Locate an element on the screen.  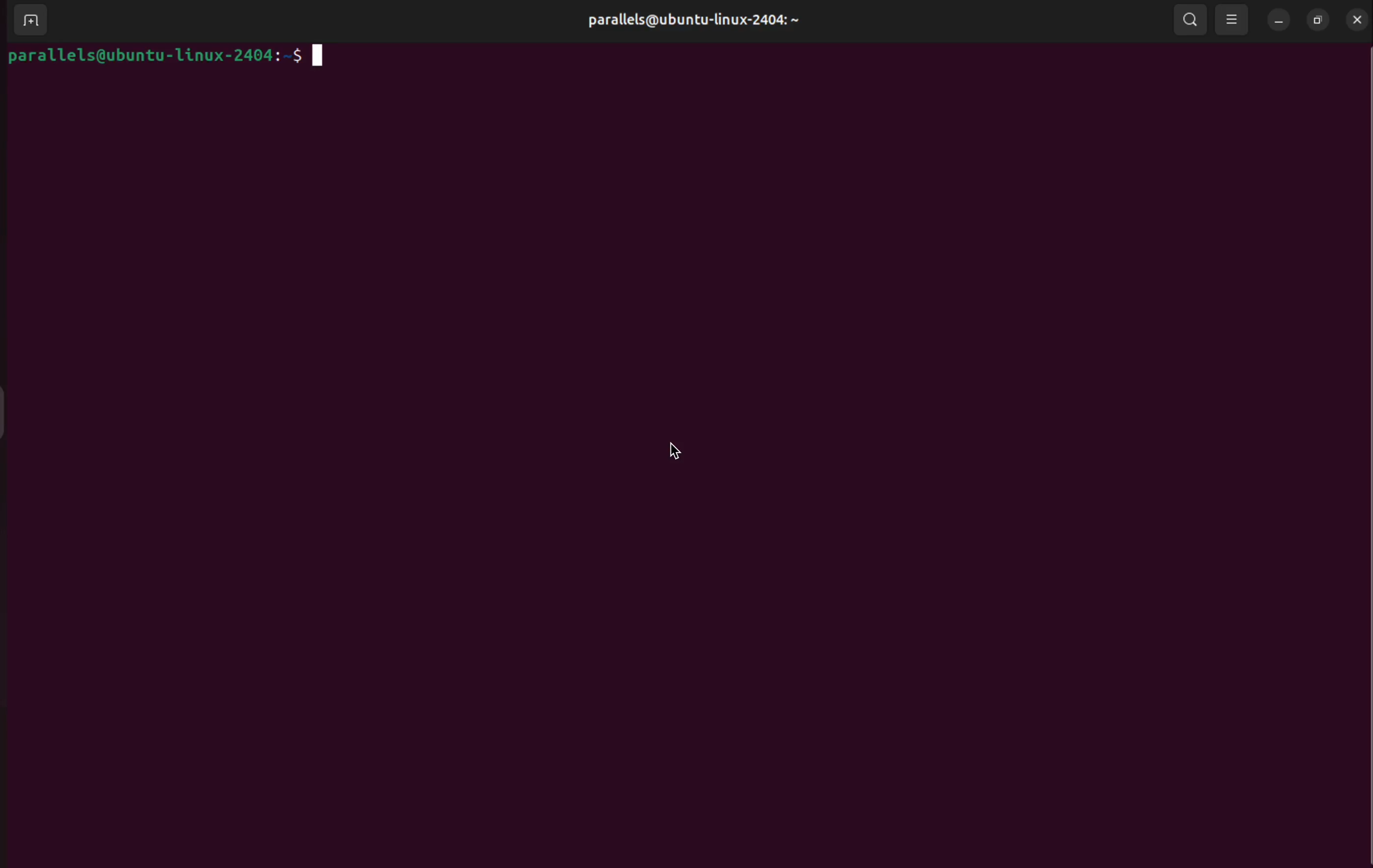
close is located at coordinates (1358, 19).